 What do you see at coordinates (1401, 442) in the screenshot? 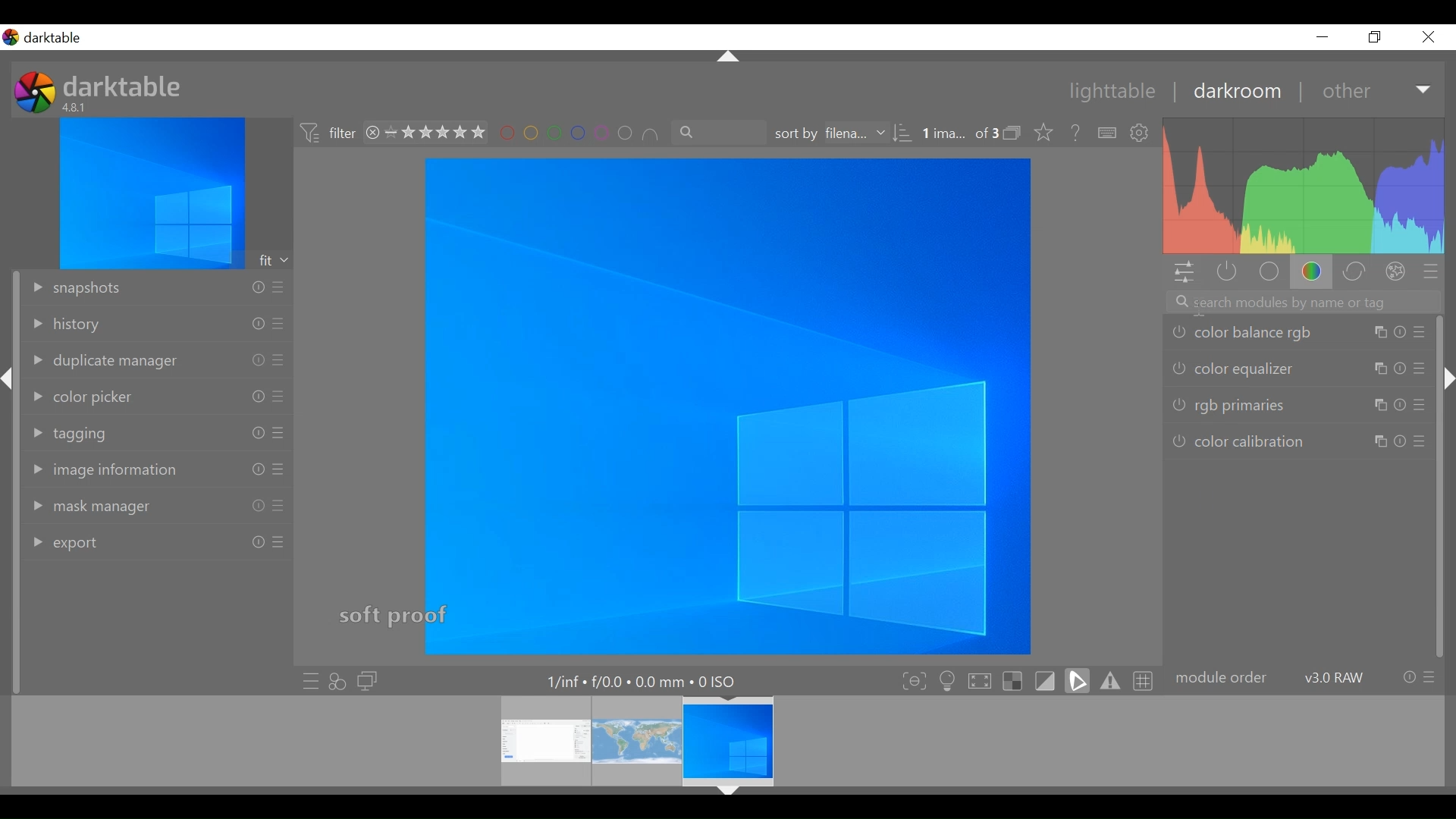
I see `info` at bounding box center [1401, 442].